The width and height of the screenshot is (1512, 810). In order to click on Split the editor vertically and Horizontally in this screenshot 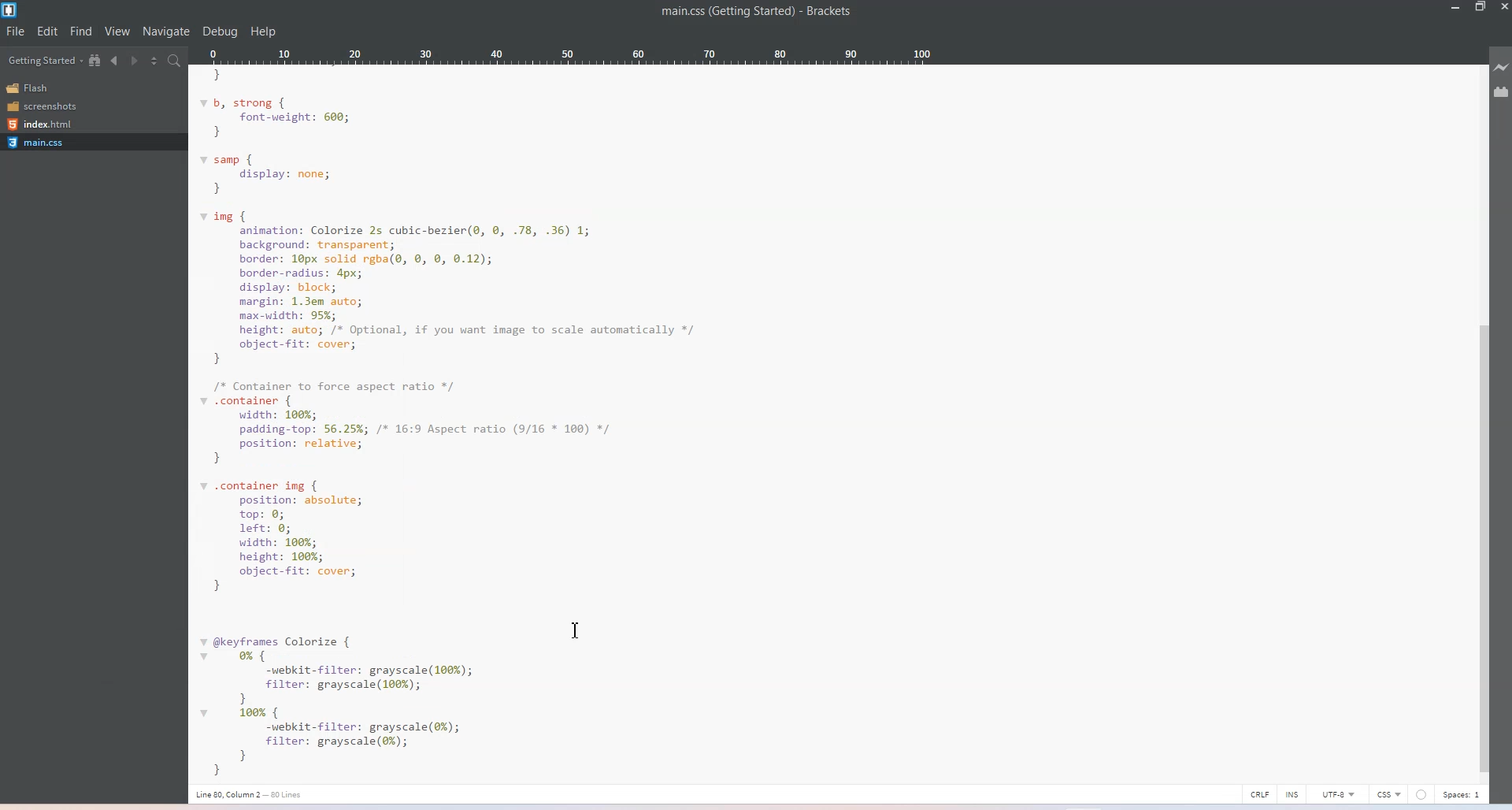, I will do `click(156, 61)`.